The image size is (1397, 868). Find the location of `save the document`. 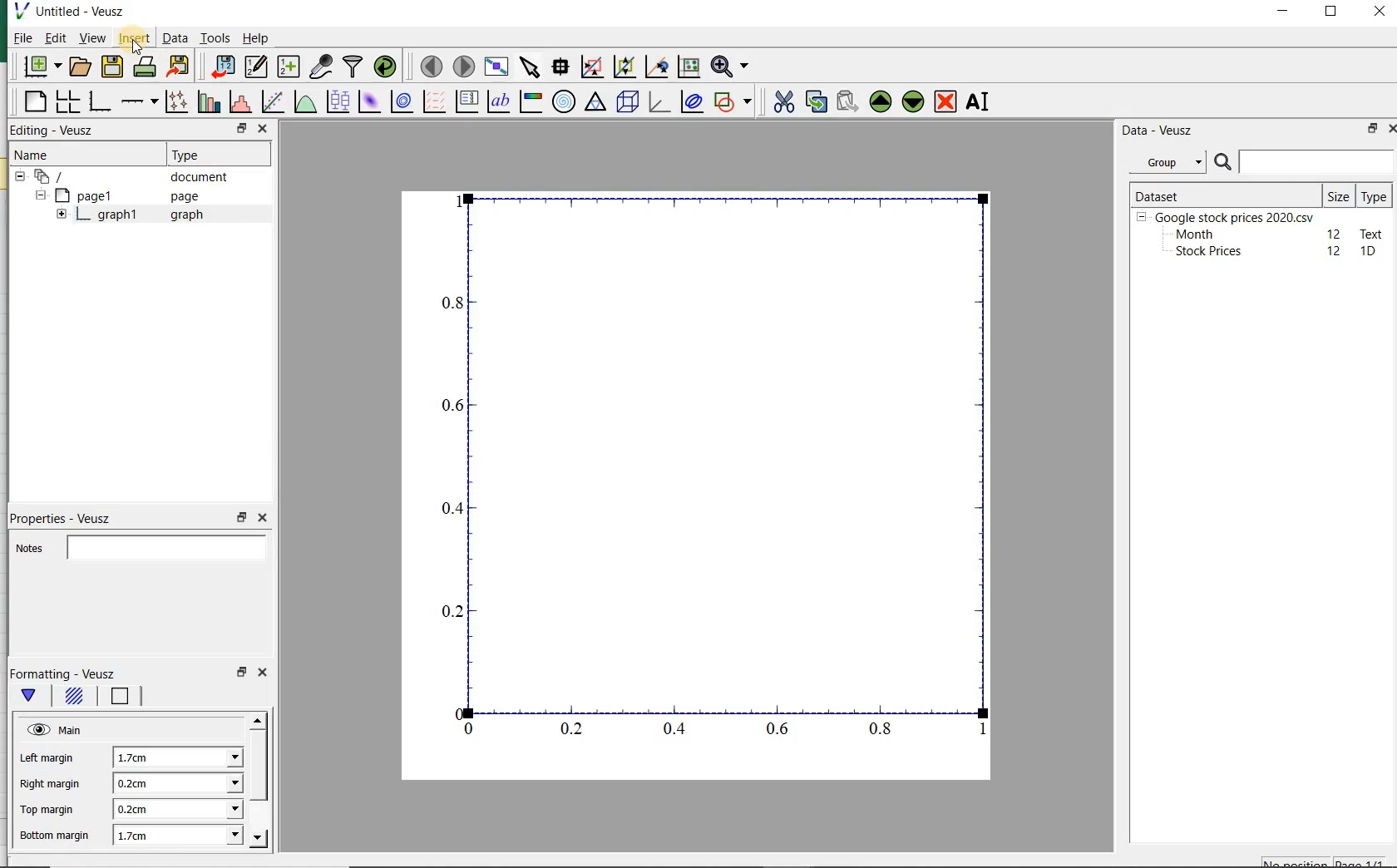

save the document is located at coordinates (112, 67).